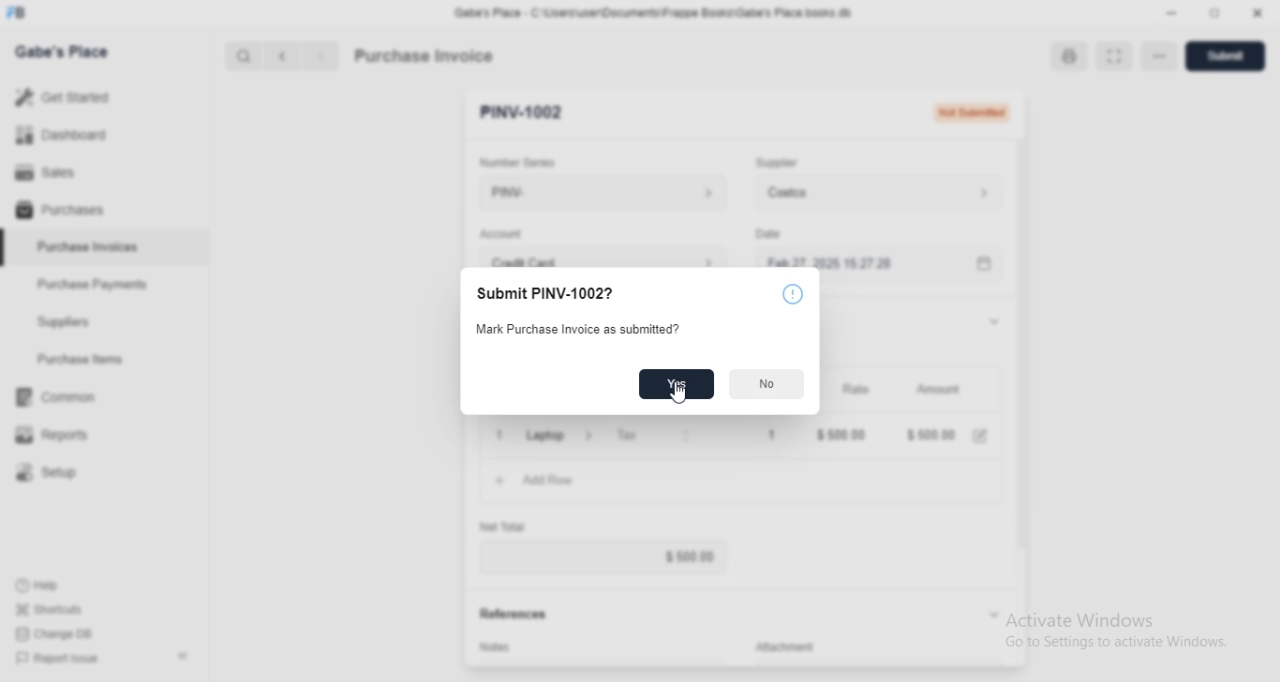 This screenshot has height=682, width=1280. What do you see at coordinates (501, 234) in the screenshot?
I see `Account` at bounding box center [501, 234].